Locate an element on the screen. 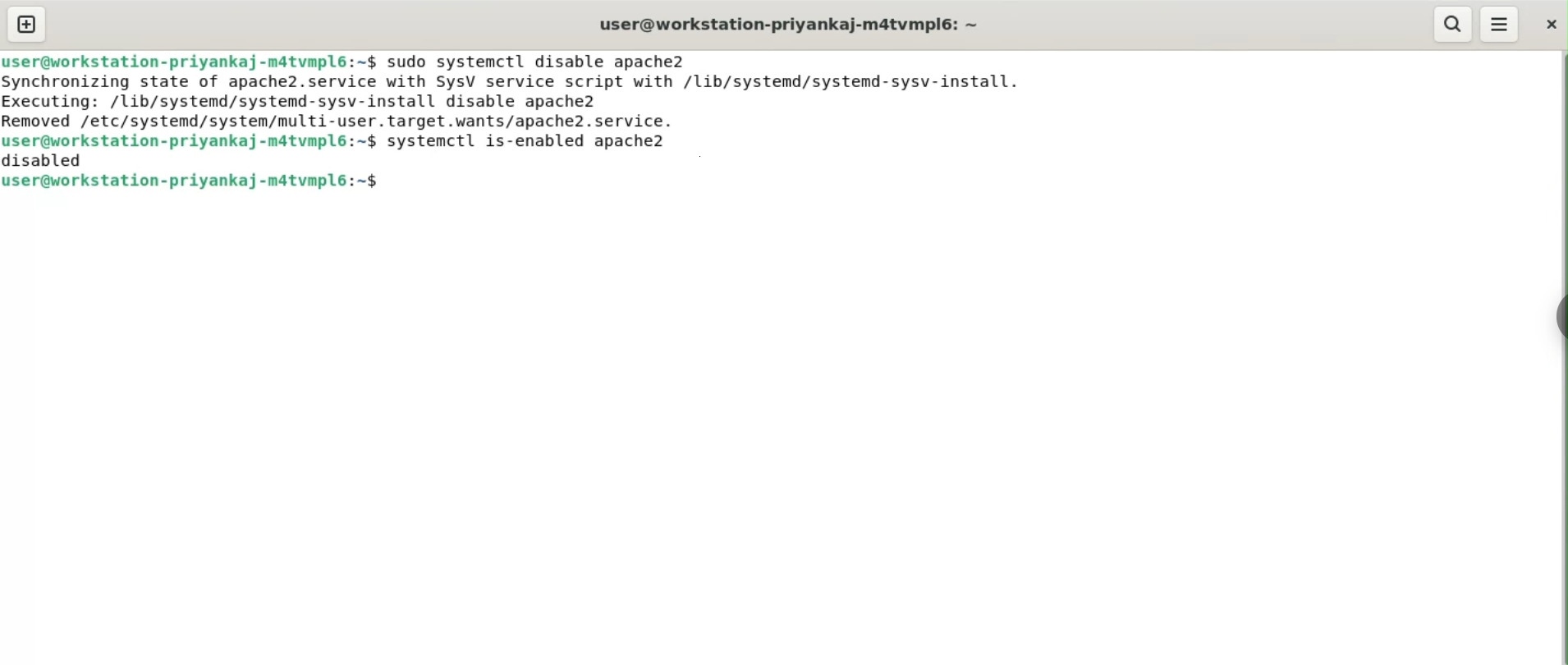  user@workstation-priyankaj-m4tvmpl6:~ is located at coordinates (791, 25).